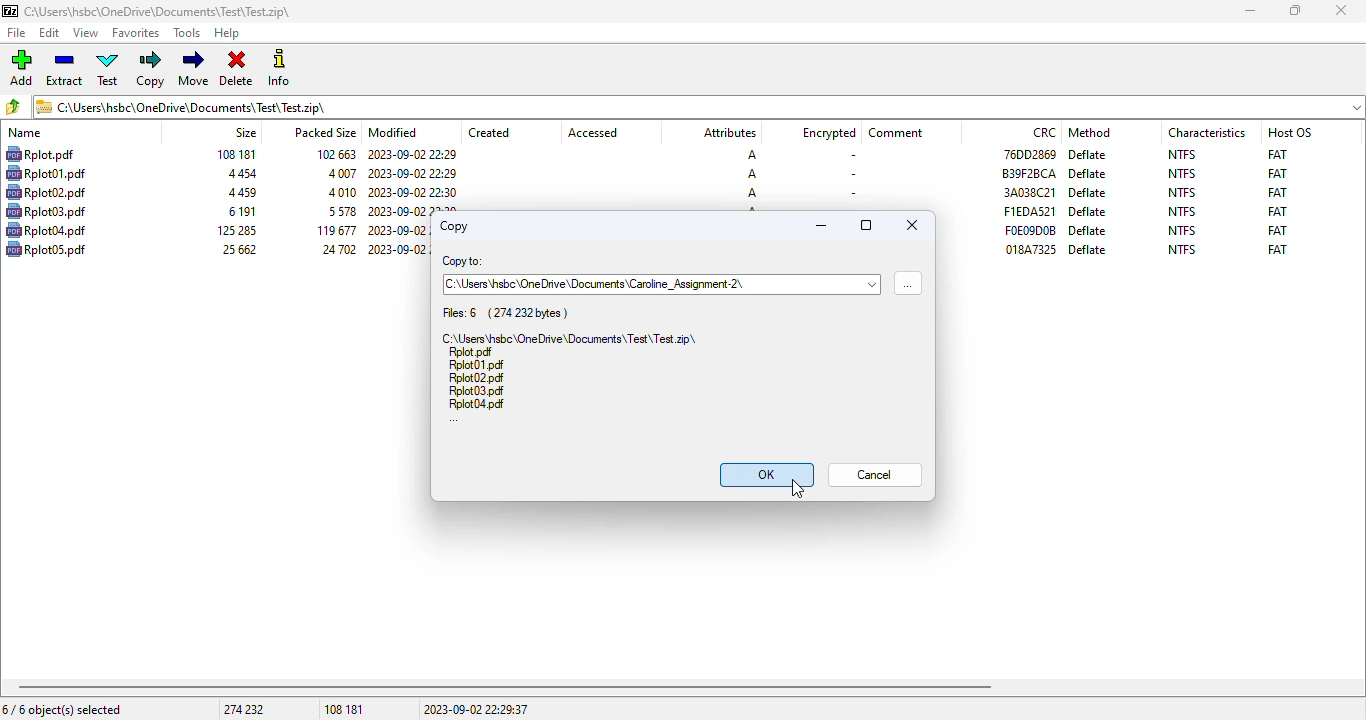  What do you see at coordinates (1089, 154) in the screenshot?
I see `deflate` at bounding box center [1089, 154].